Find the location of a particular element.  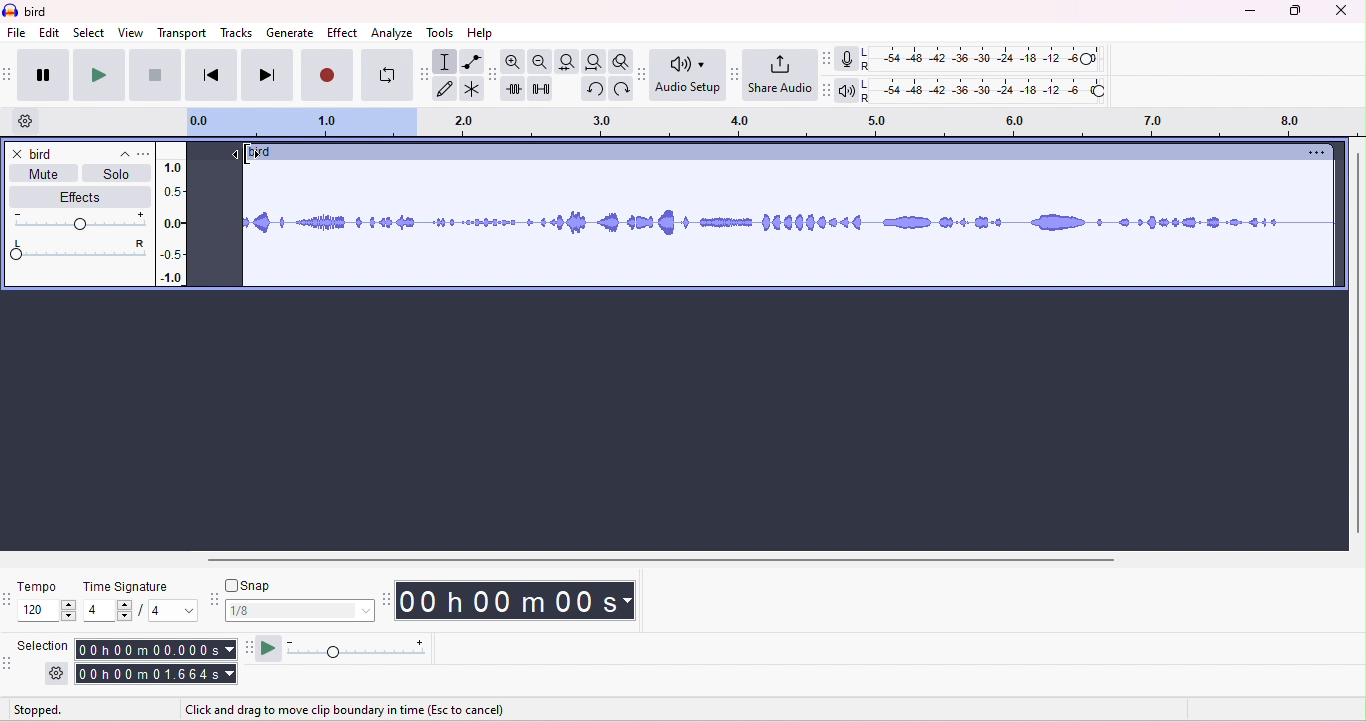

file is located at coordinates (17, 34).